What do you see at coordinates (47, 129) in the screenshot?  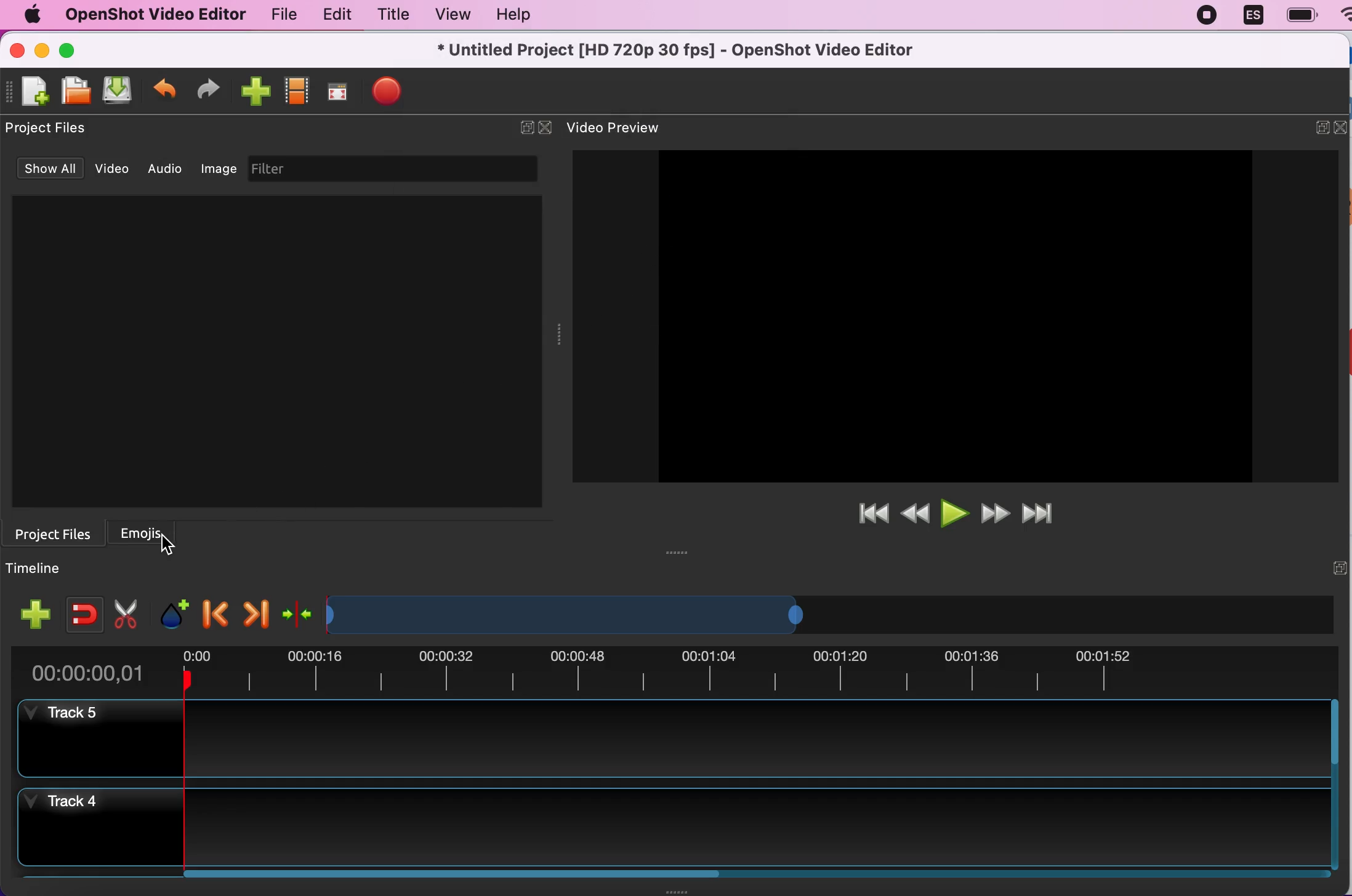 I see `project files` at bounding box center [47, 129].